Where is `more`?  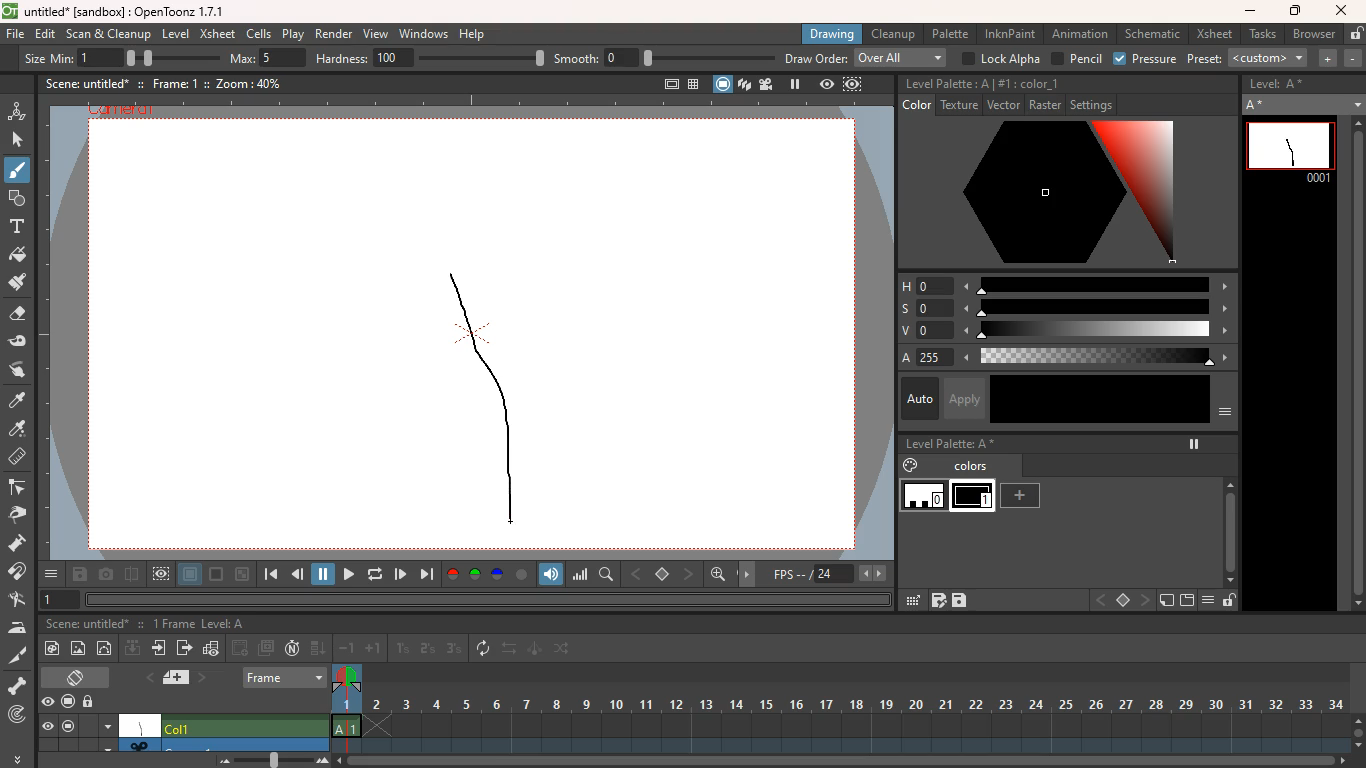 more is located at coordinates (16, 758).